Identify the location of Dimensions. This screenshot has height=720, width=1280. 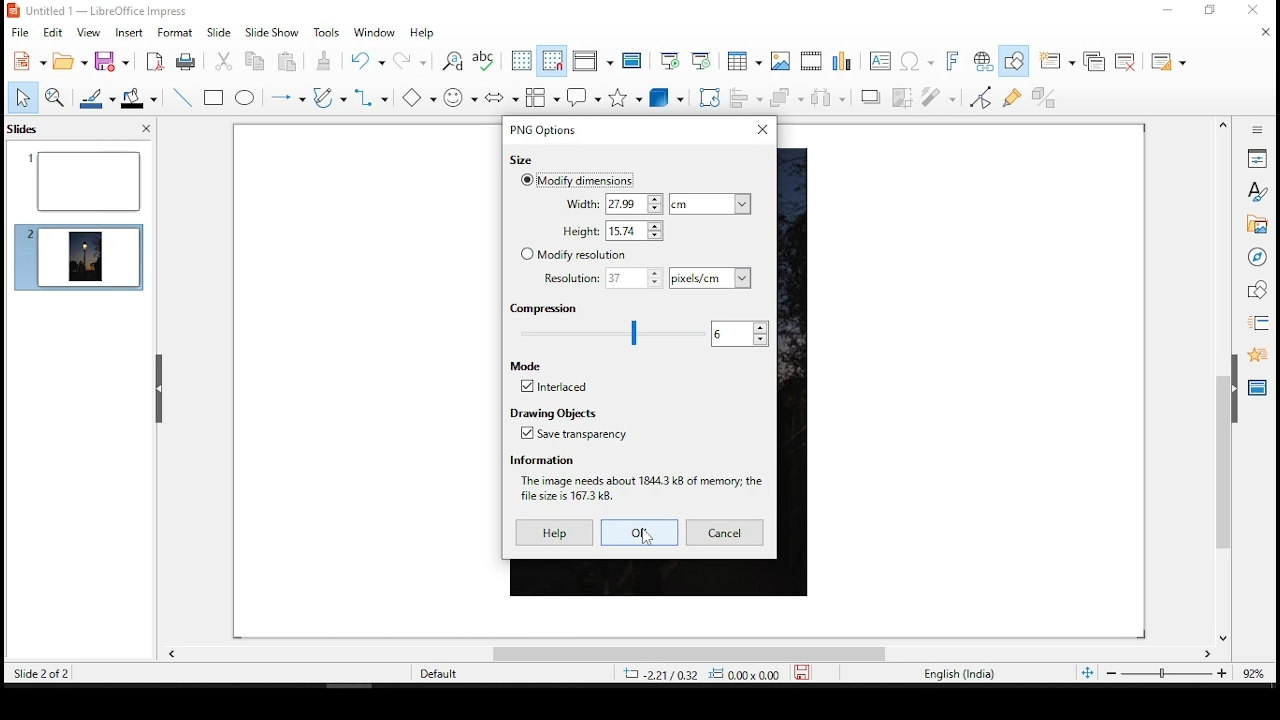
(722, 674).